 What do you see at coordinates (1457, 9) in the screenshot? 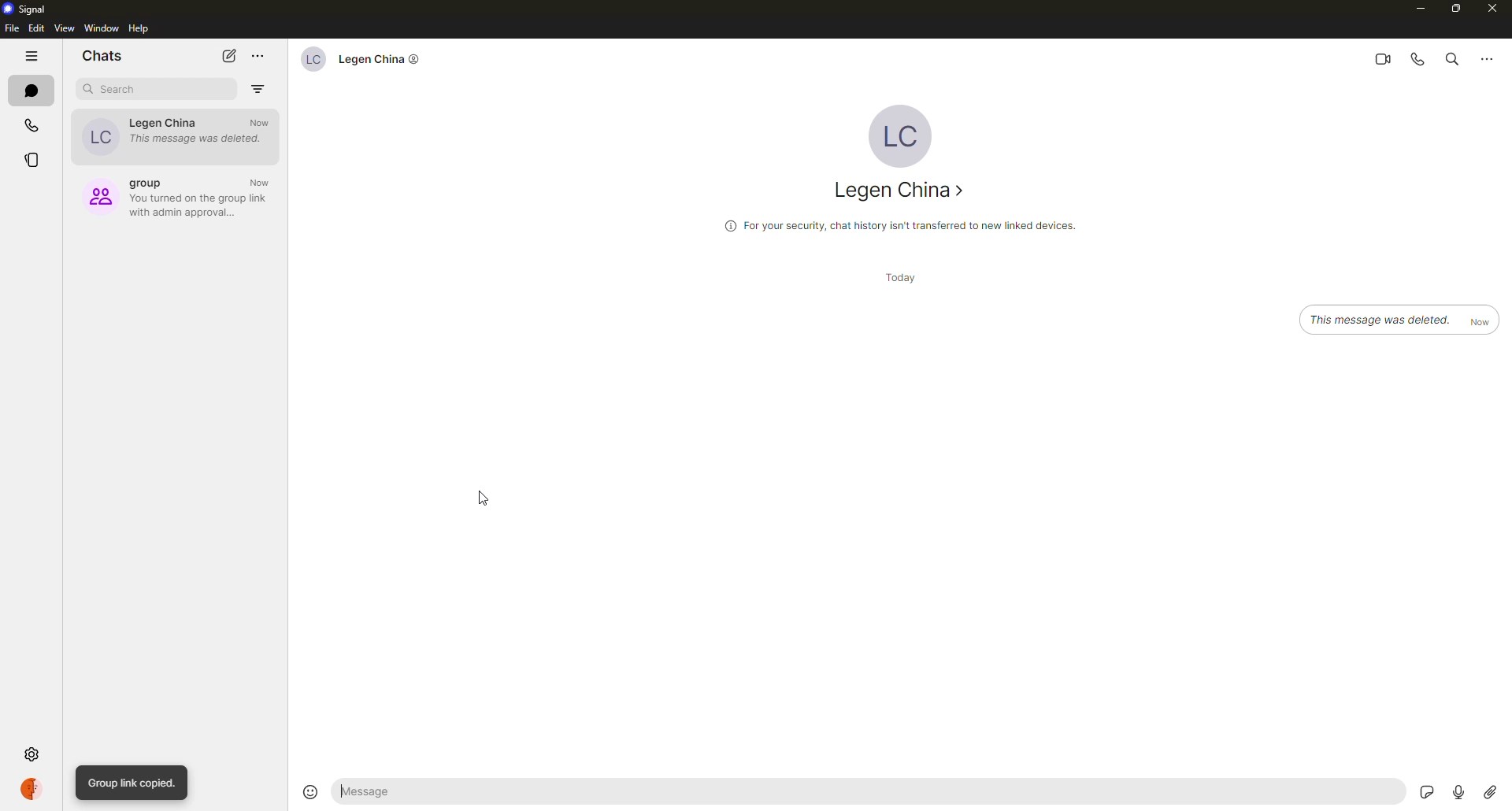
I see `maximize` at bounding box center [1457, 9].